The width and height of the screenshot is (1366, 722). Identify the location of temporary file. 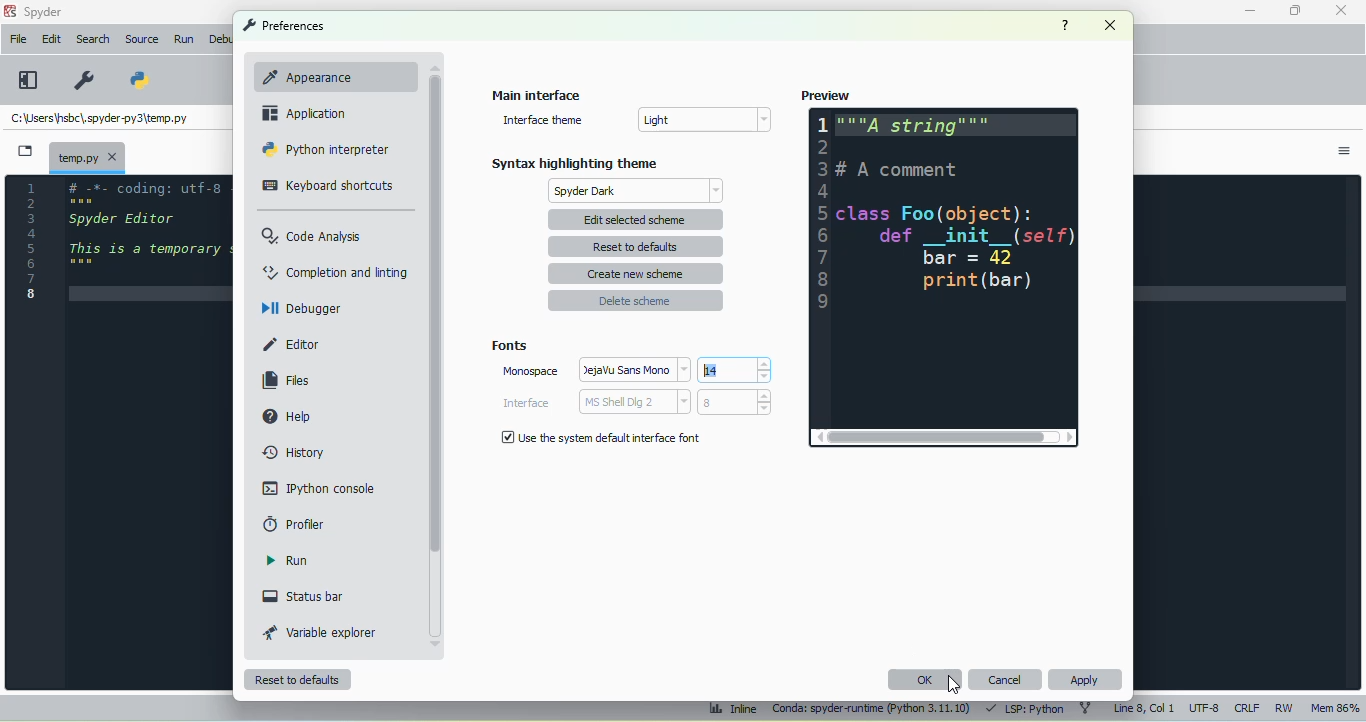
(99, 120).